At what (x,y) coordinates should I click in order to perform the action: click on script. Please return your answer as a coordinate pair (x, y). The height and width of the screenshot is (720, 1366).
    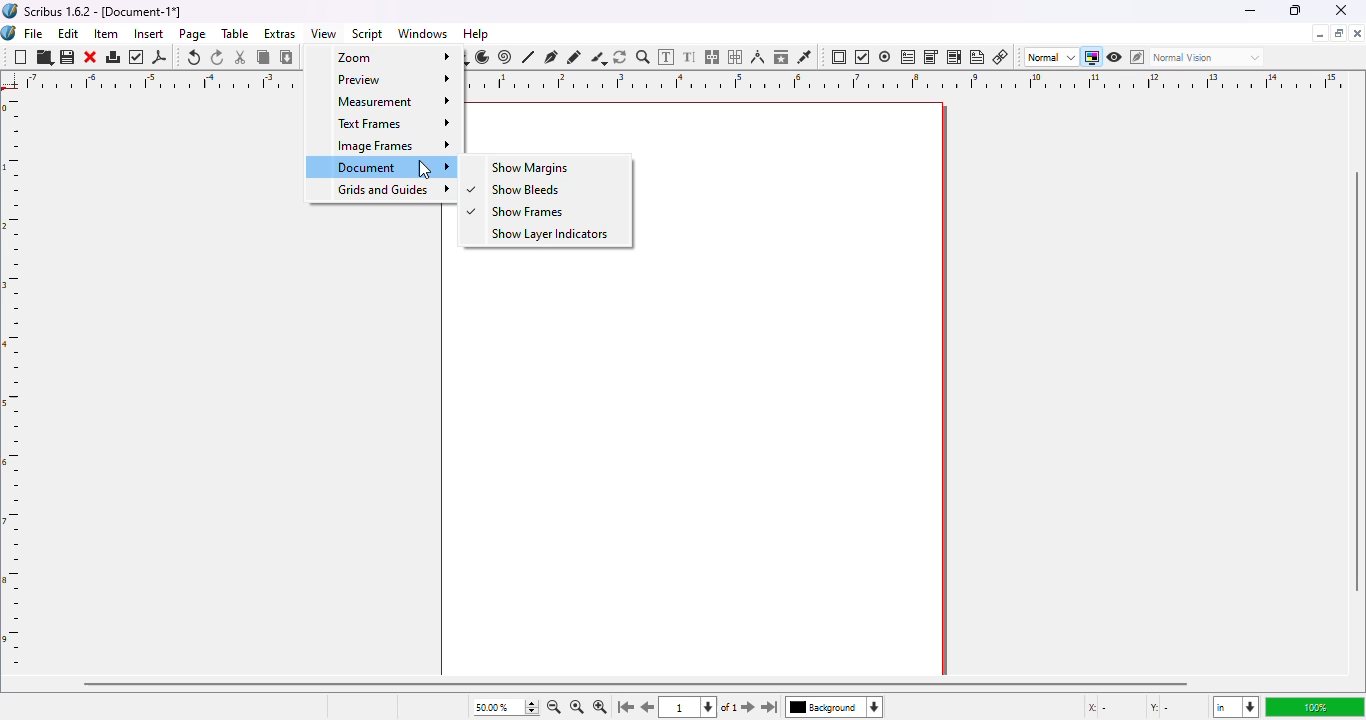
    Looking at the image, I should click on (370, 34).